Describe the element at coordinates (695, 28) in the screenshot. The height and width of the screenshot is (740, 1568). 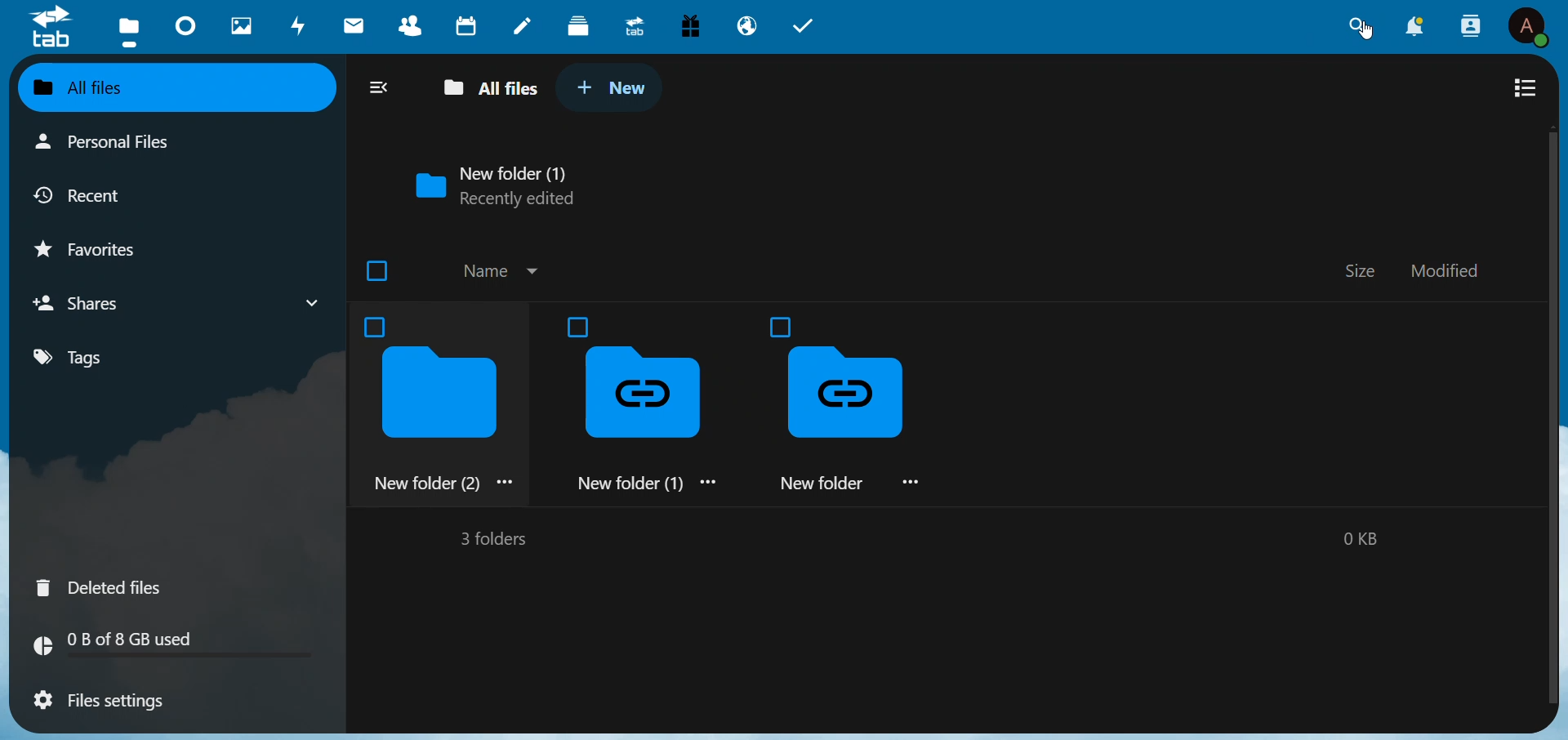
I see `free trial` at that location.